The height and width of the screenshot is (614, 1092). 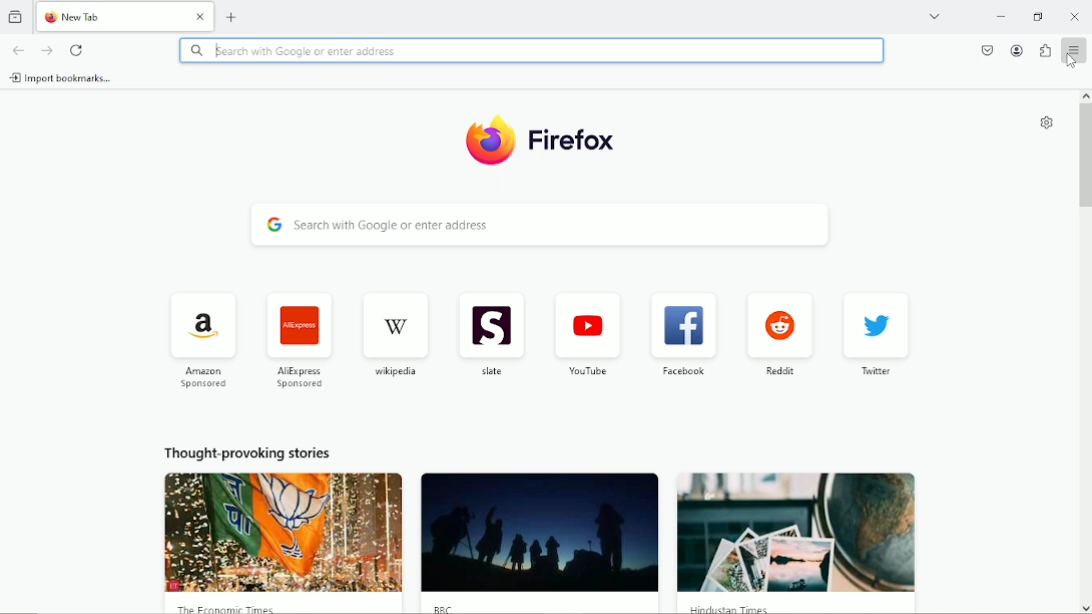 I want to click on New Tab, so click(x=109, y=16).